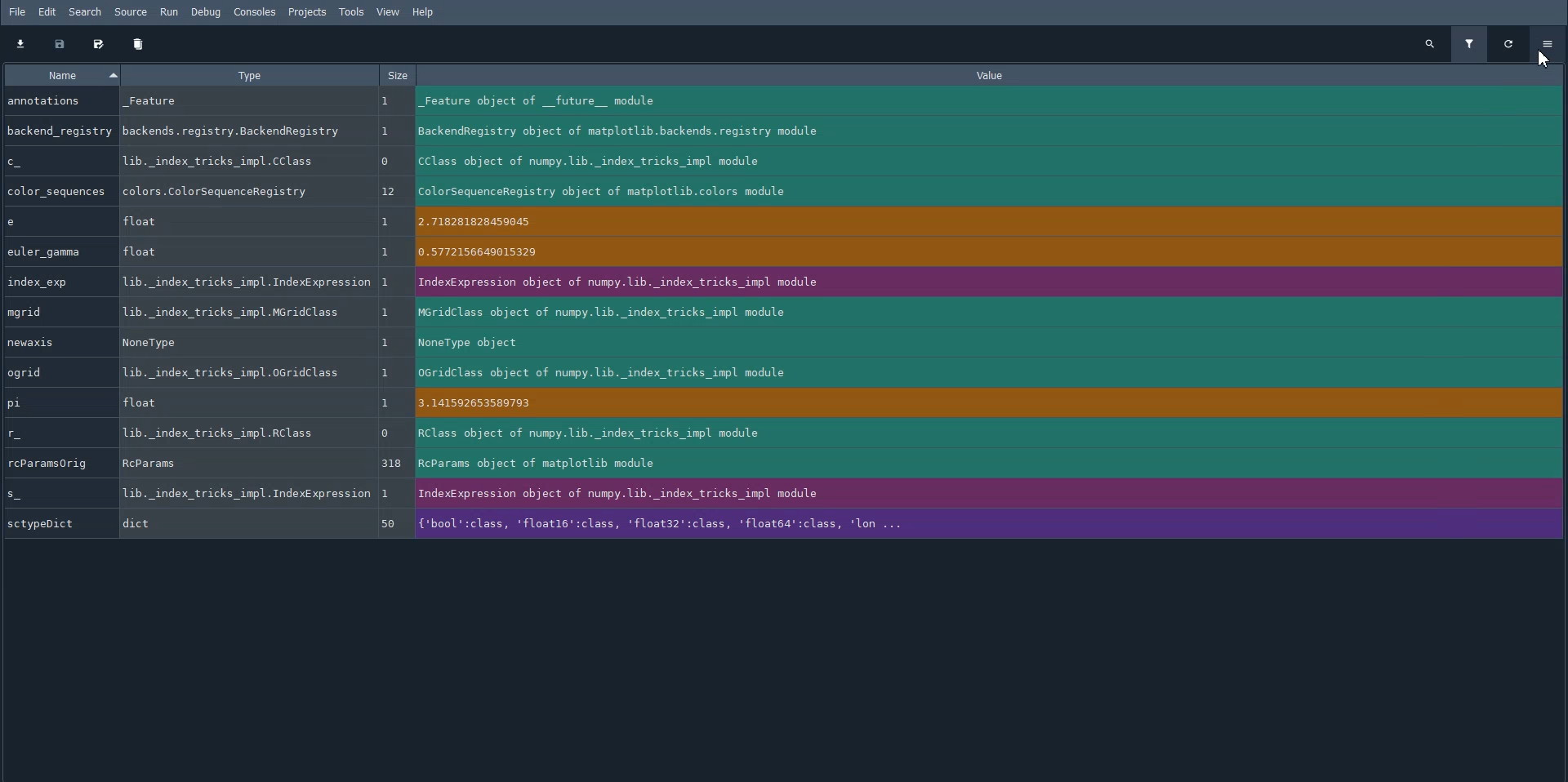  Describe the element at coordinates (55, 433) in the screenshot. I see `r` at that location.